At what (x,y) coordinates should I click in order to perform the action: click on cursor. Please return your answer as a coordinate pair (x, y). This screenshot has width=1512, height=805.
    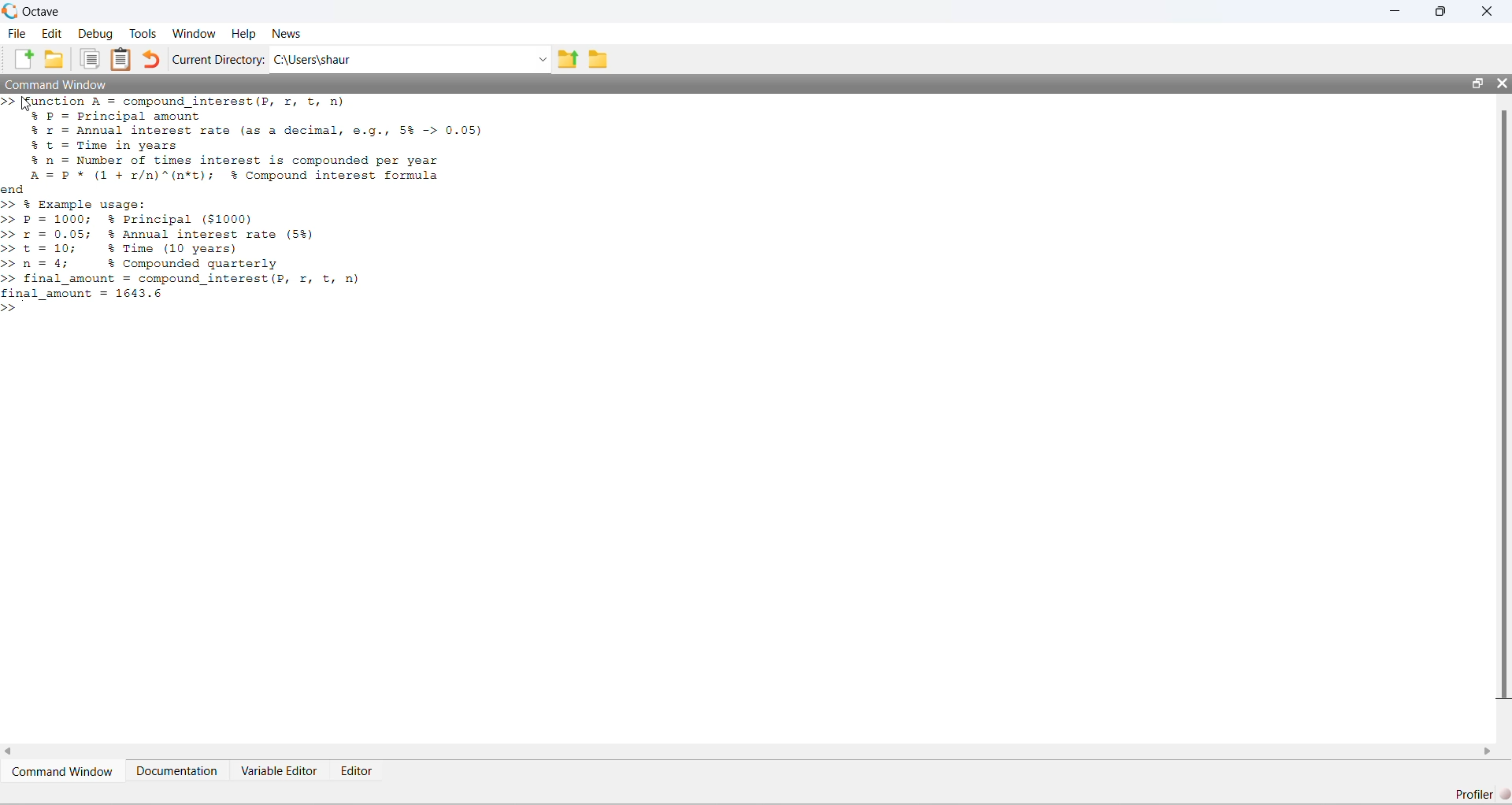
    Looking at the image, I should click on (28, 106).